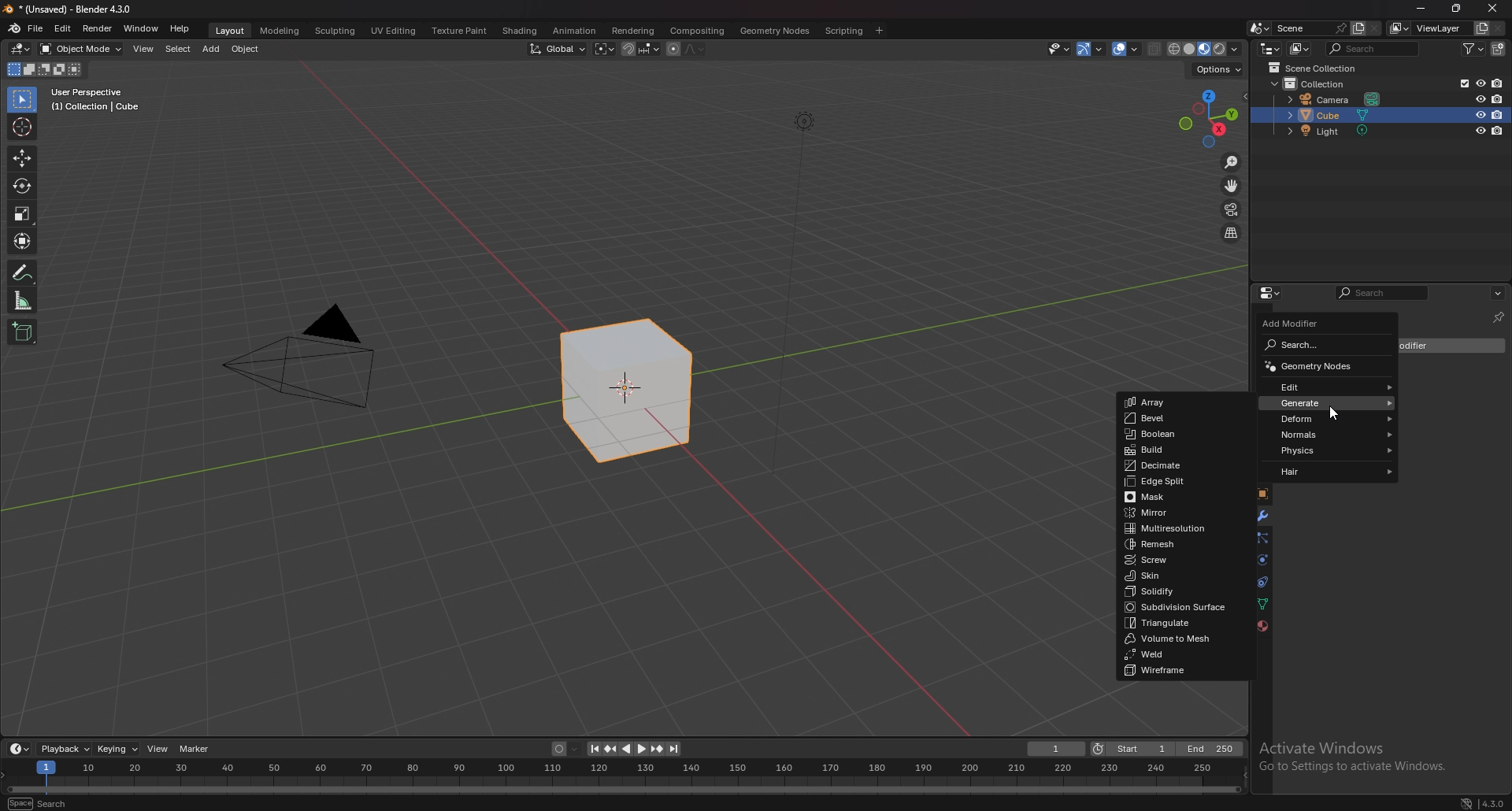 This screenshot has height=811, width=1512. Describe the element at coordinates (460, 31) in the screenshot. I see `texture paint` at that location.